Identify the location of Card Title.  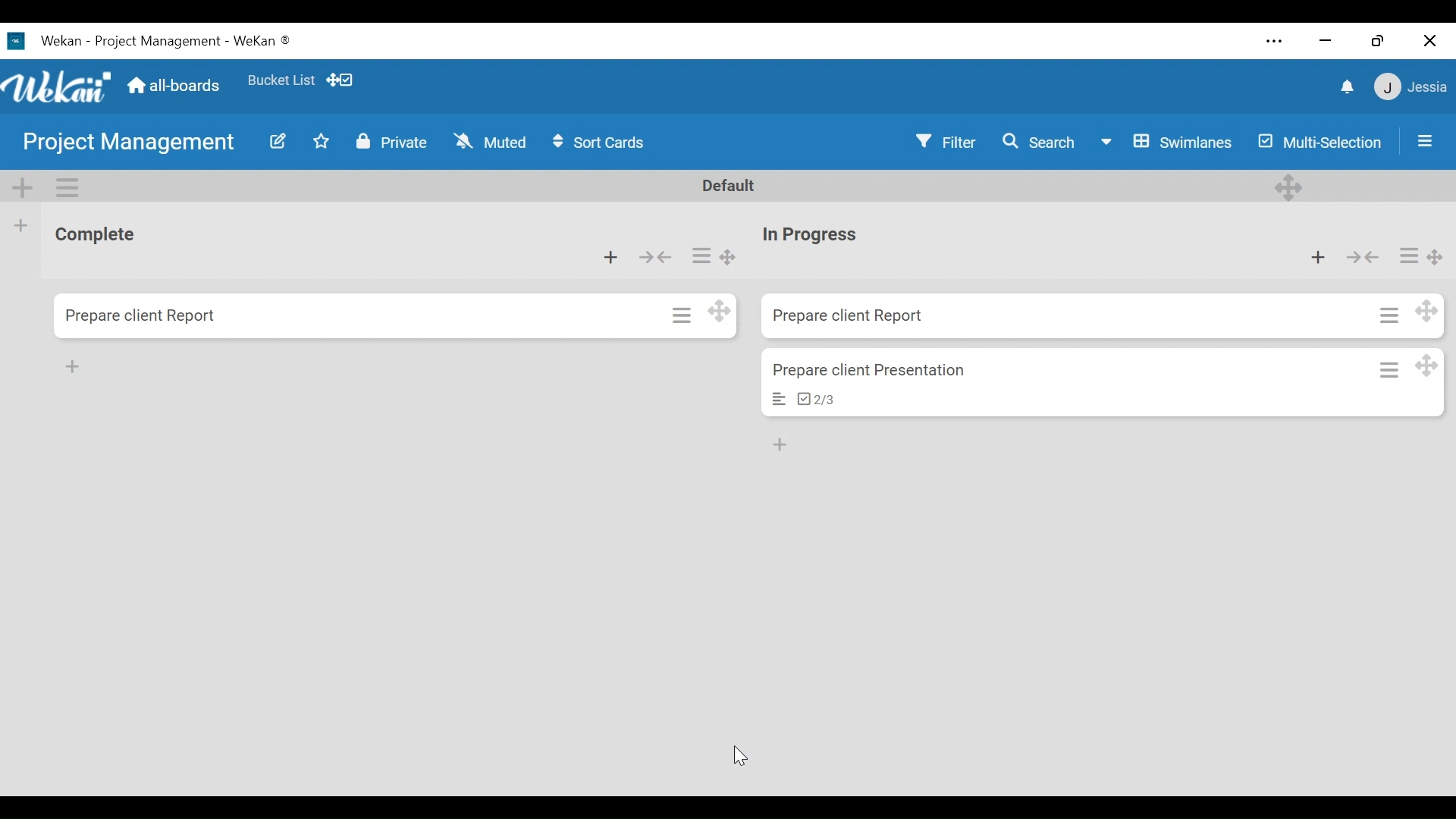
(142, 315).